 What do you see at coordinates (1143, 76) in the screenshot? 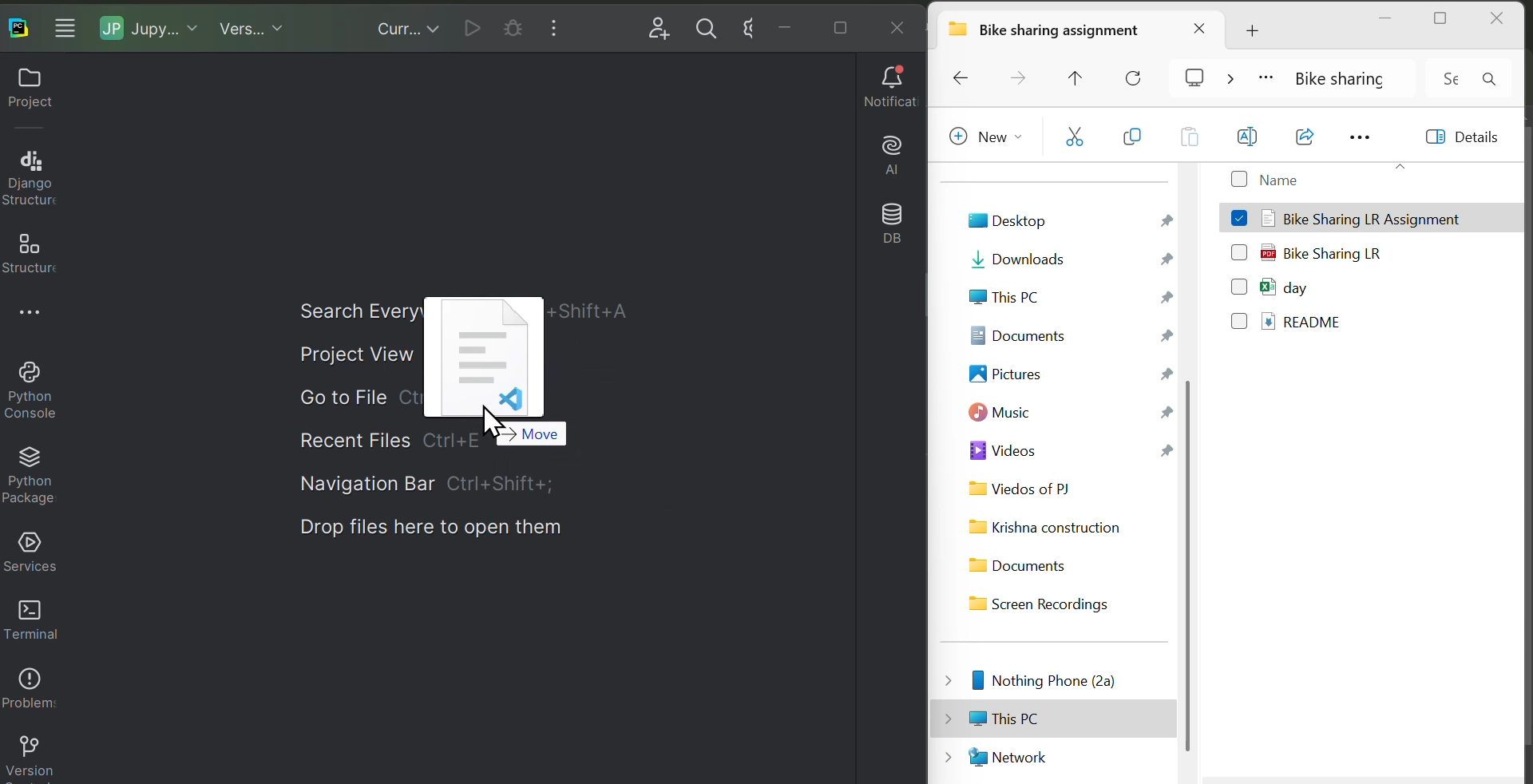
I see `Reload` at bounding box center [1143, 76].